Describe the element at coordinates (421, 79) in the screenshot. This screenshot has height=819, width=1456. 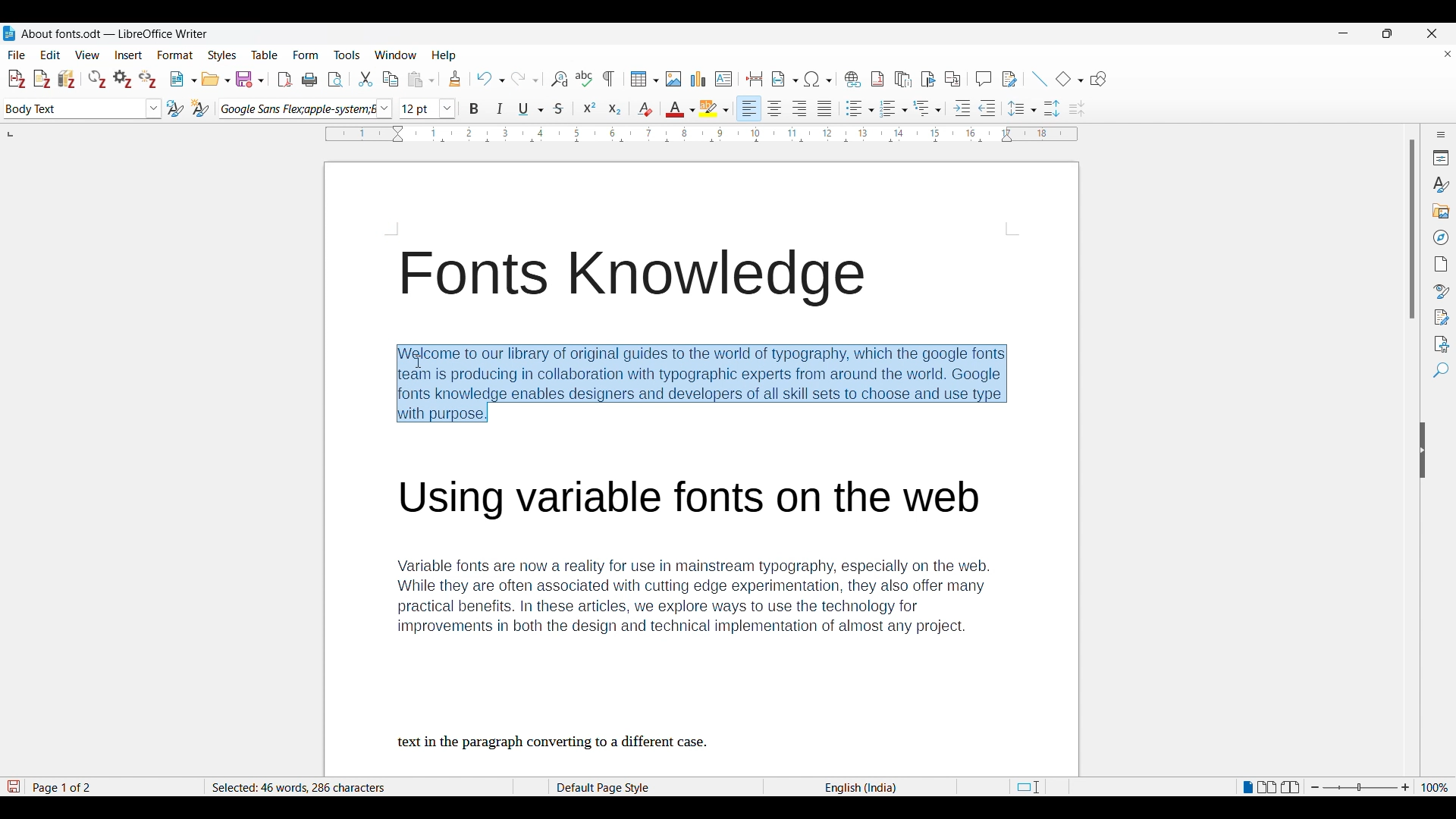
I see `Paste` at that location.